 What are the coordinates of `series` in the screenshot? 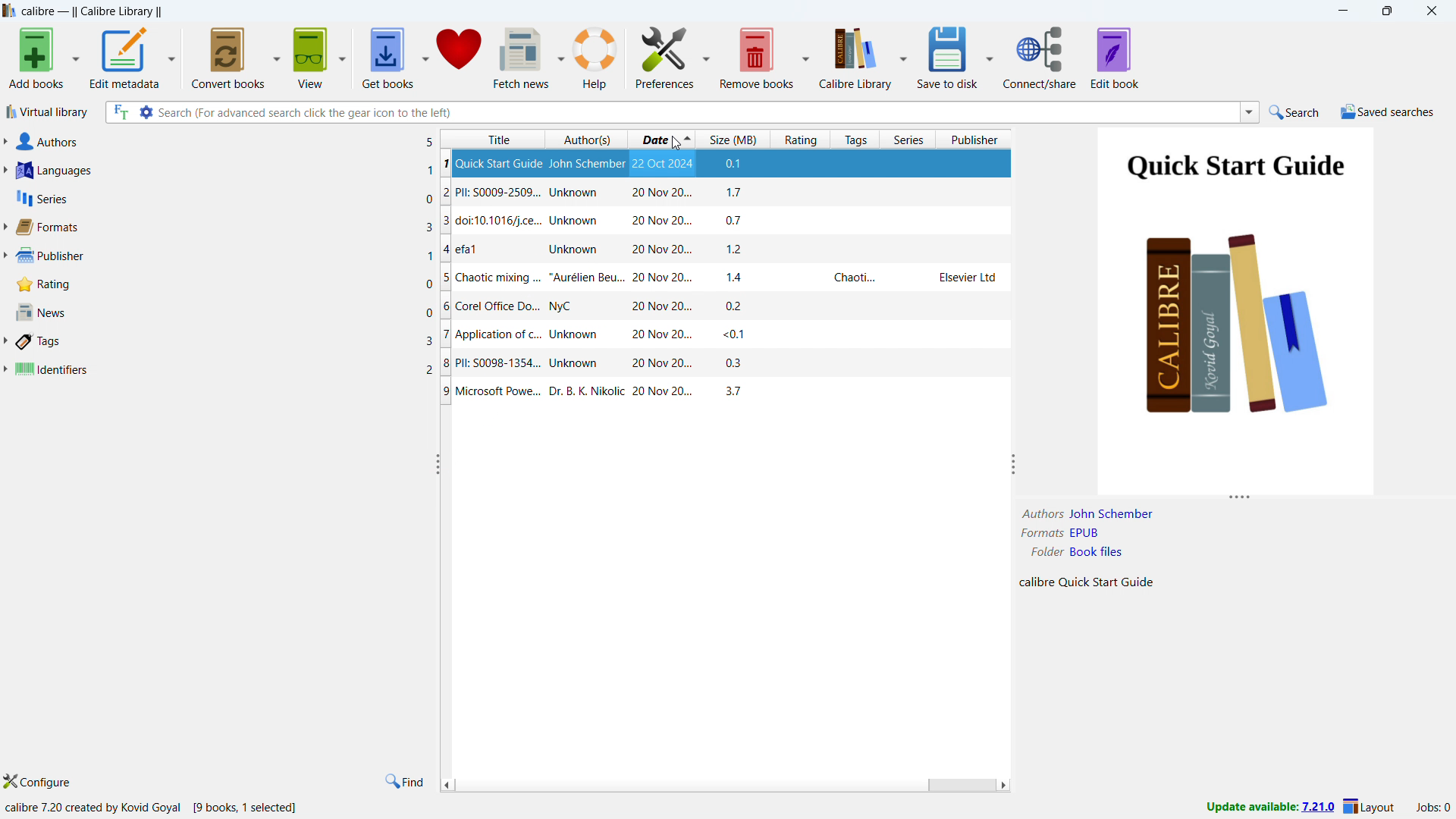 It's located at (224, 197).